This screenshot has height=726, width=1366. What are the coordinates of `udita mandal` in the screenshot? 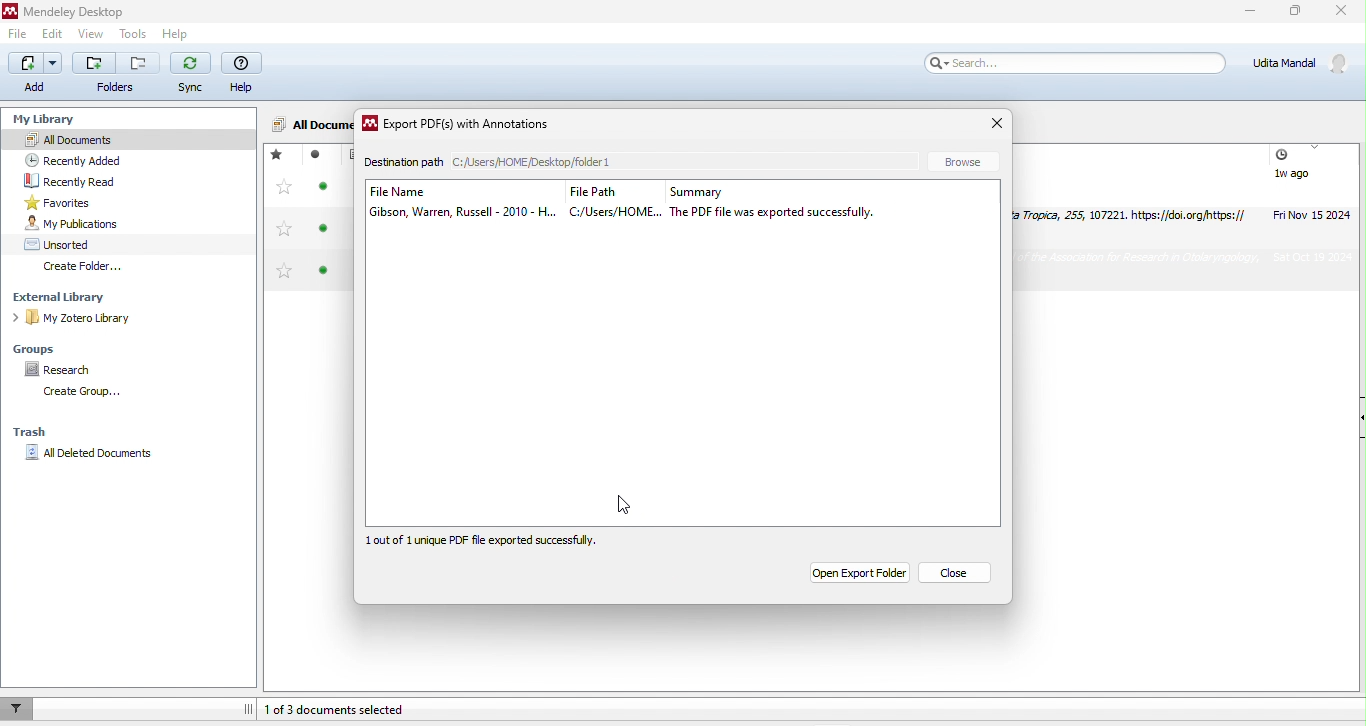 It's located at (1305, 64).